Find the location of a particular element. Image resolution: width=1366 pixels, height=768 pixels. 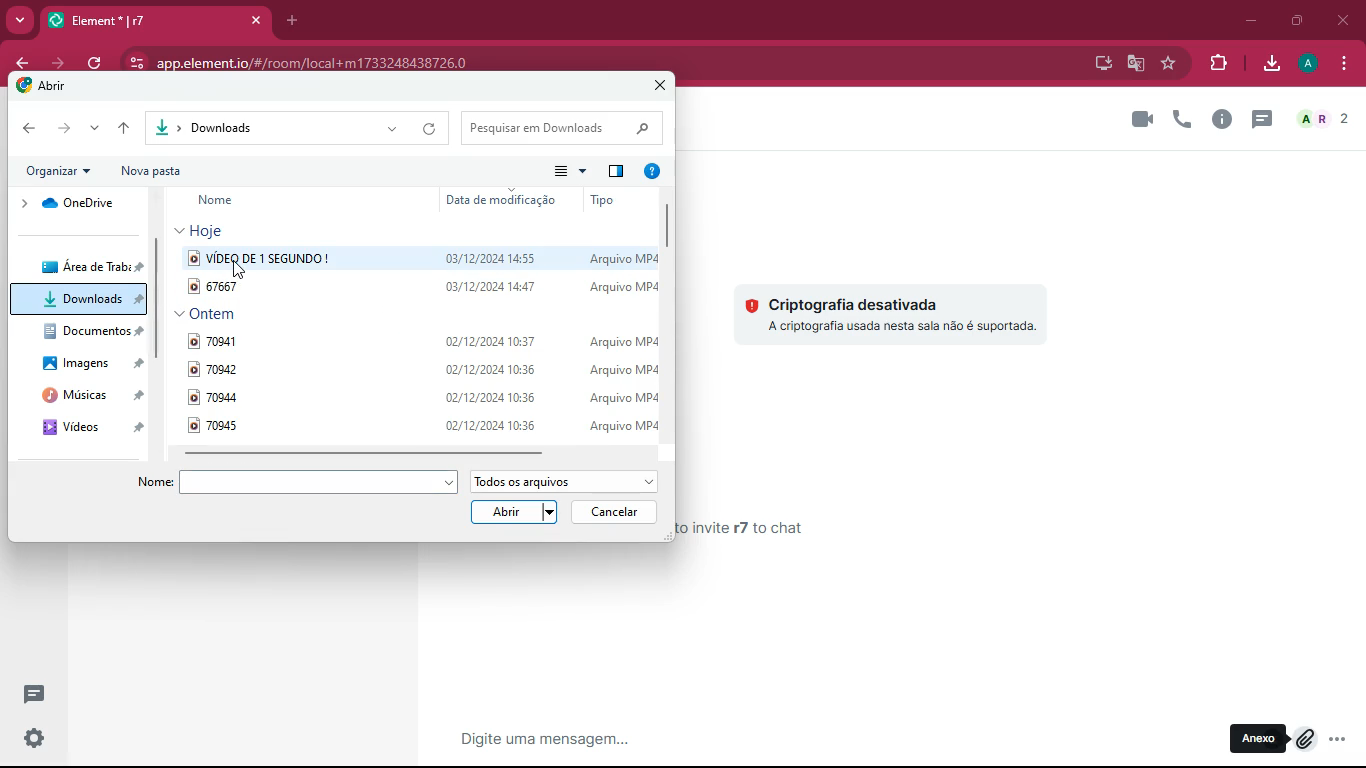

up is located at coordinates (126, 128).